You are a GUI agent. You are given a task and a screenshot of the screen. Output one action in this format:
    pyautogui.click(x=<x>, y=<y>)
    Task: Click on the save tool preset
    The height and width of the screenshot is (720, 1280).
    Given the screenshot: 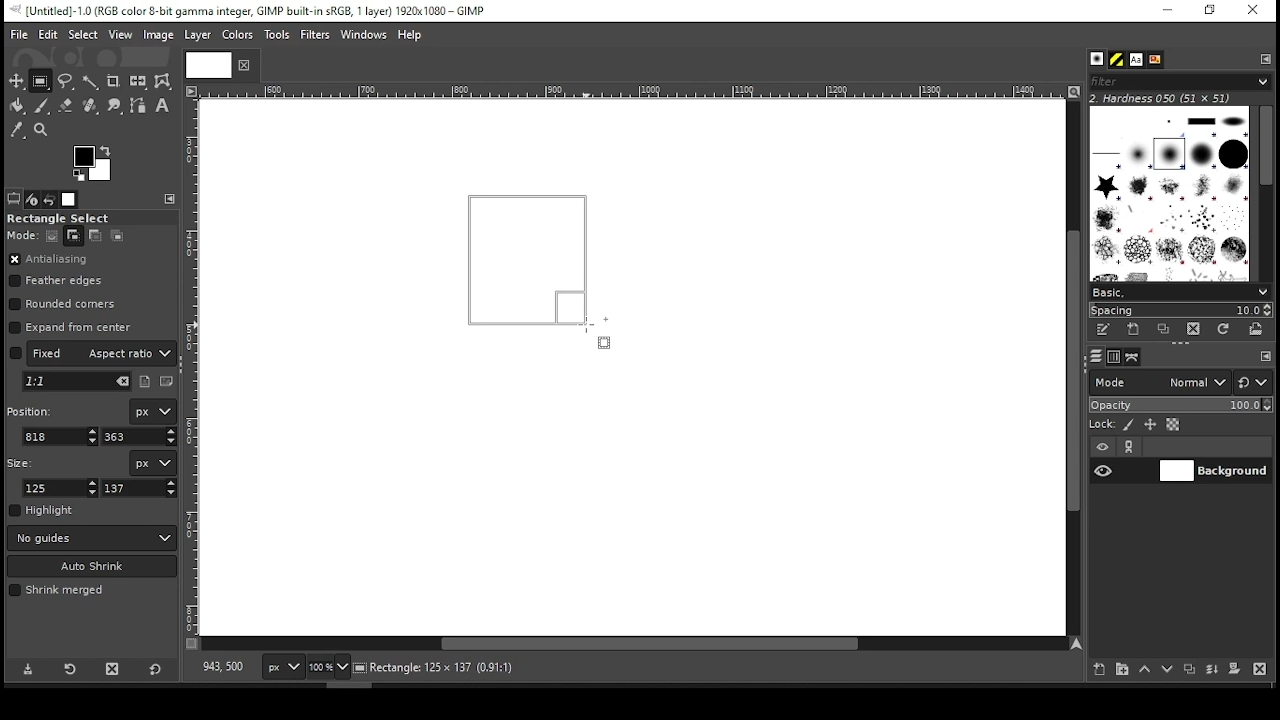 What is the action you would take?
    pyautogui.click(x=30, y=668)
    